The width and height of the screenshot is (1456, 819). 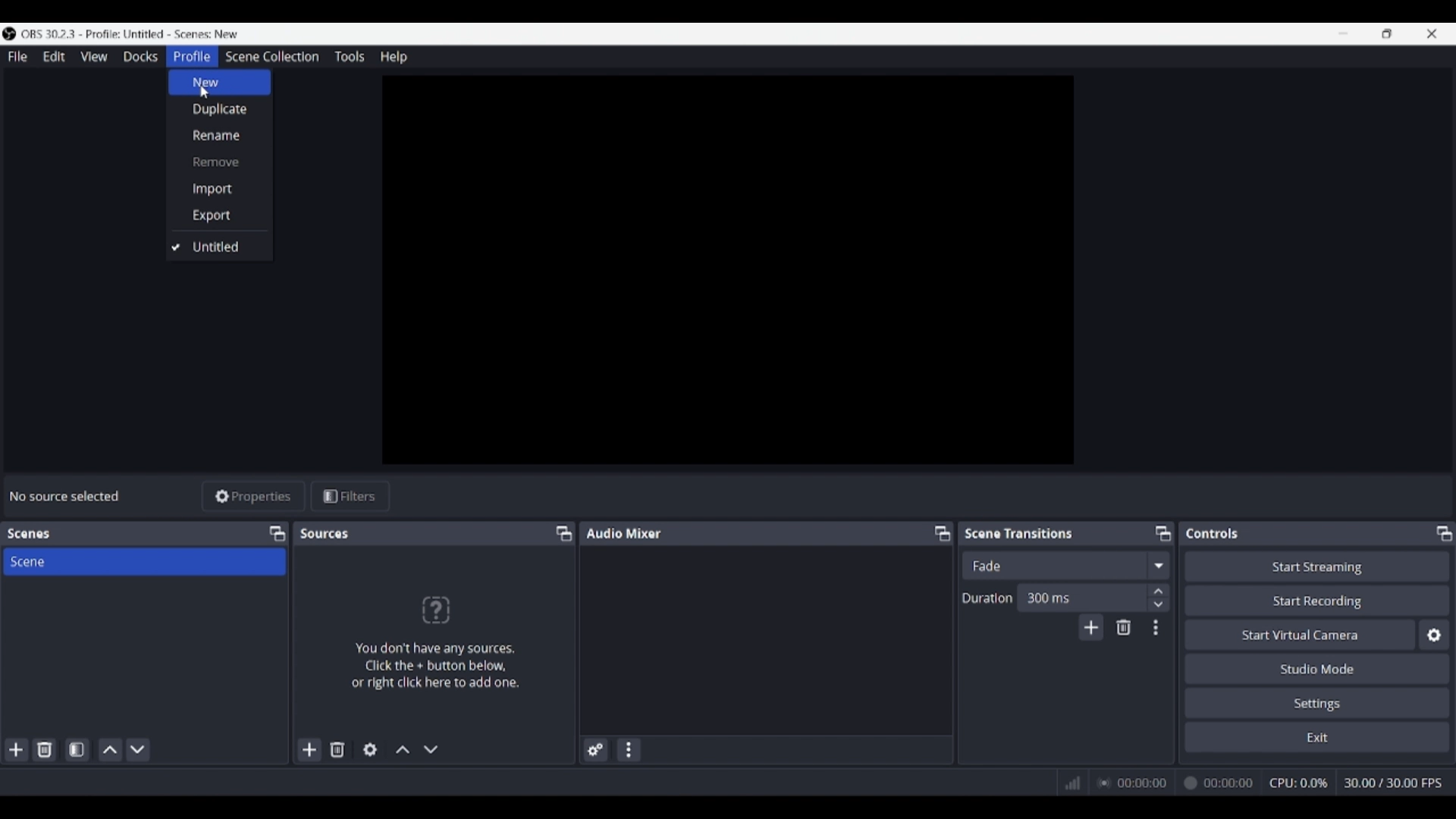 I want to click on Show interface in a smaller tab, so click(x=1387, y=33).